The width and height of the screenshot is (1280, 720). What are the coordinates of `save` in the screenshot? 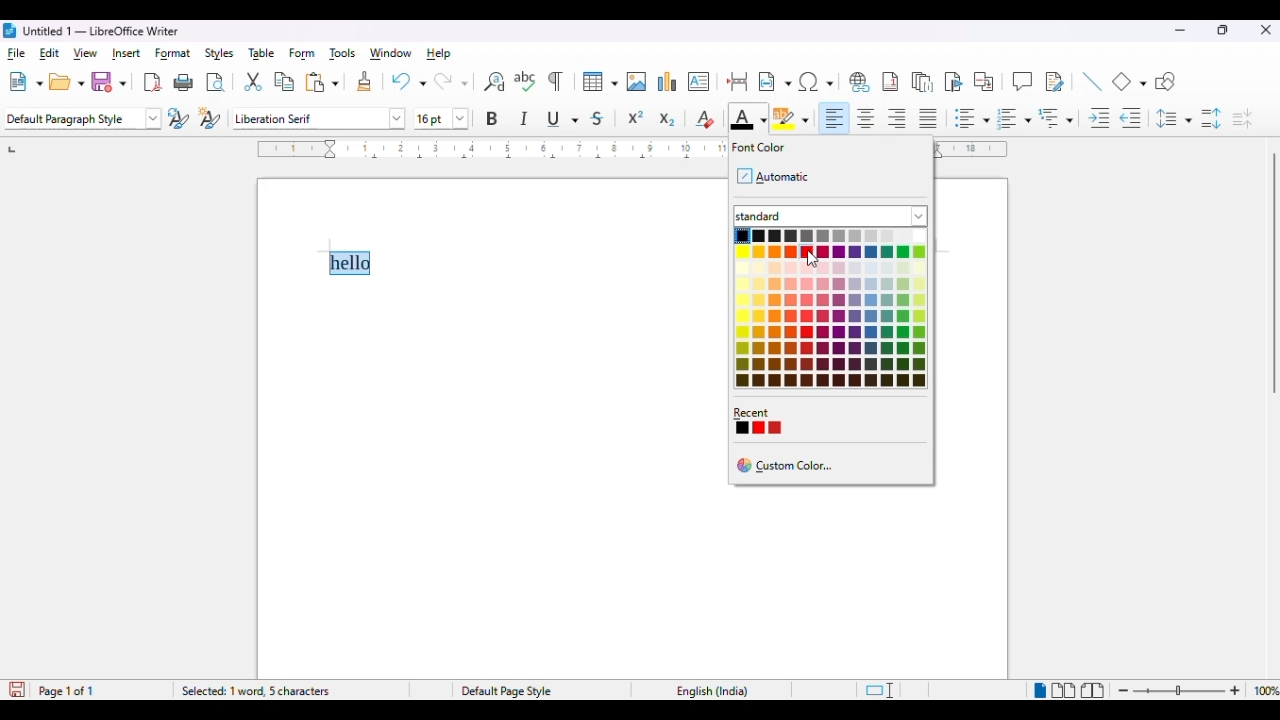 It's located at (109, 82).